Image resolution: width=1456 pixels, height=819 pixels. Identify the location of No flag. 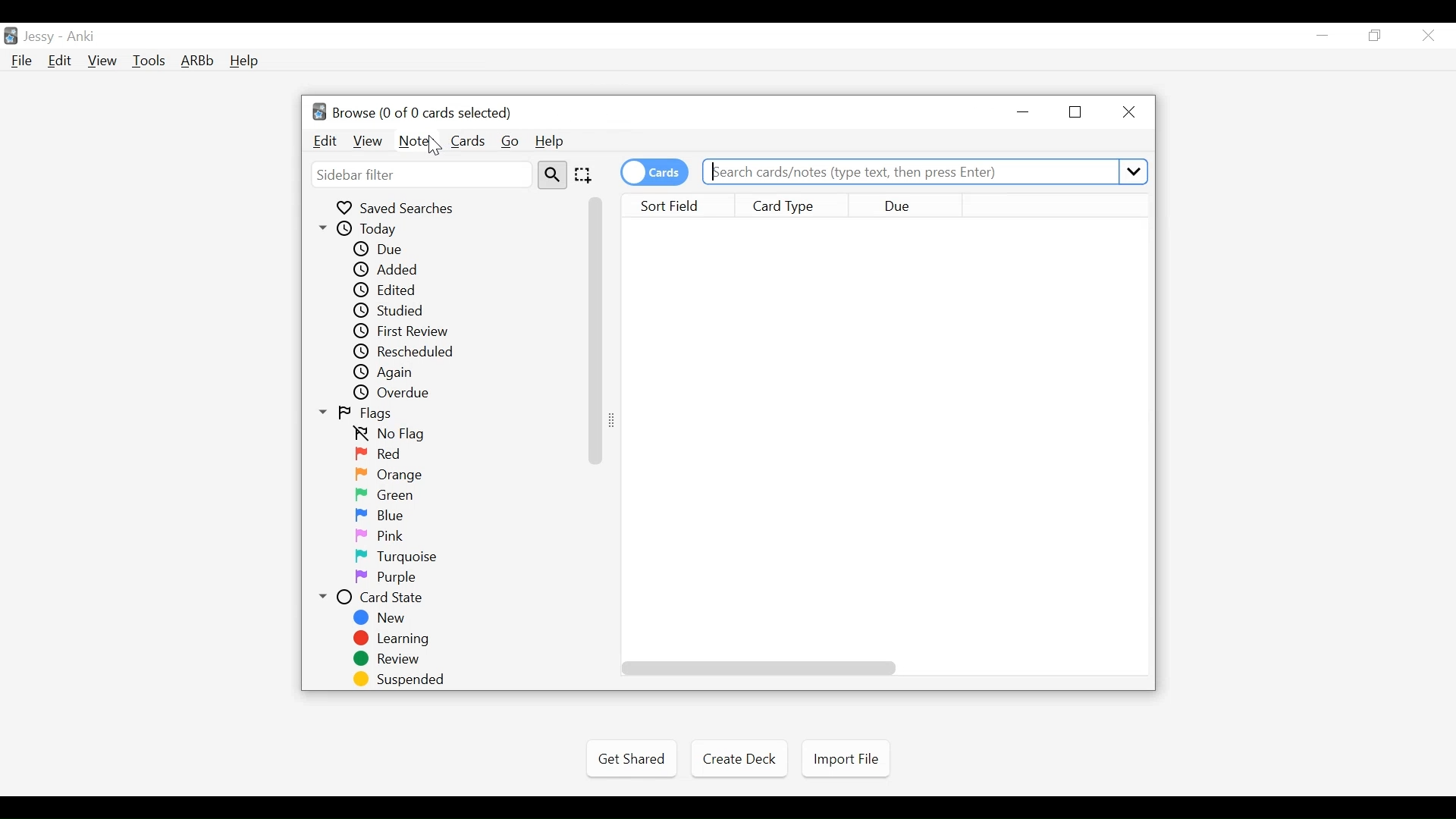
(392, 434).